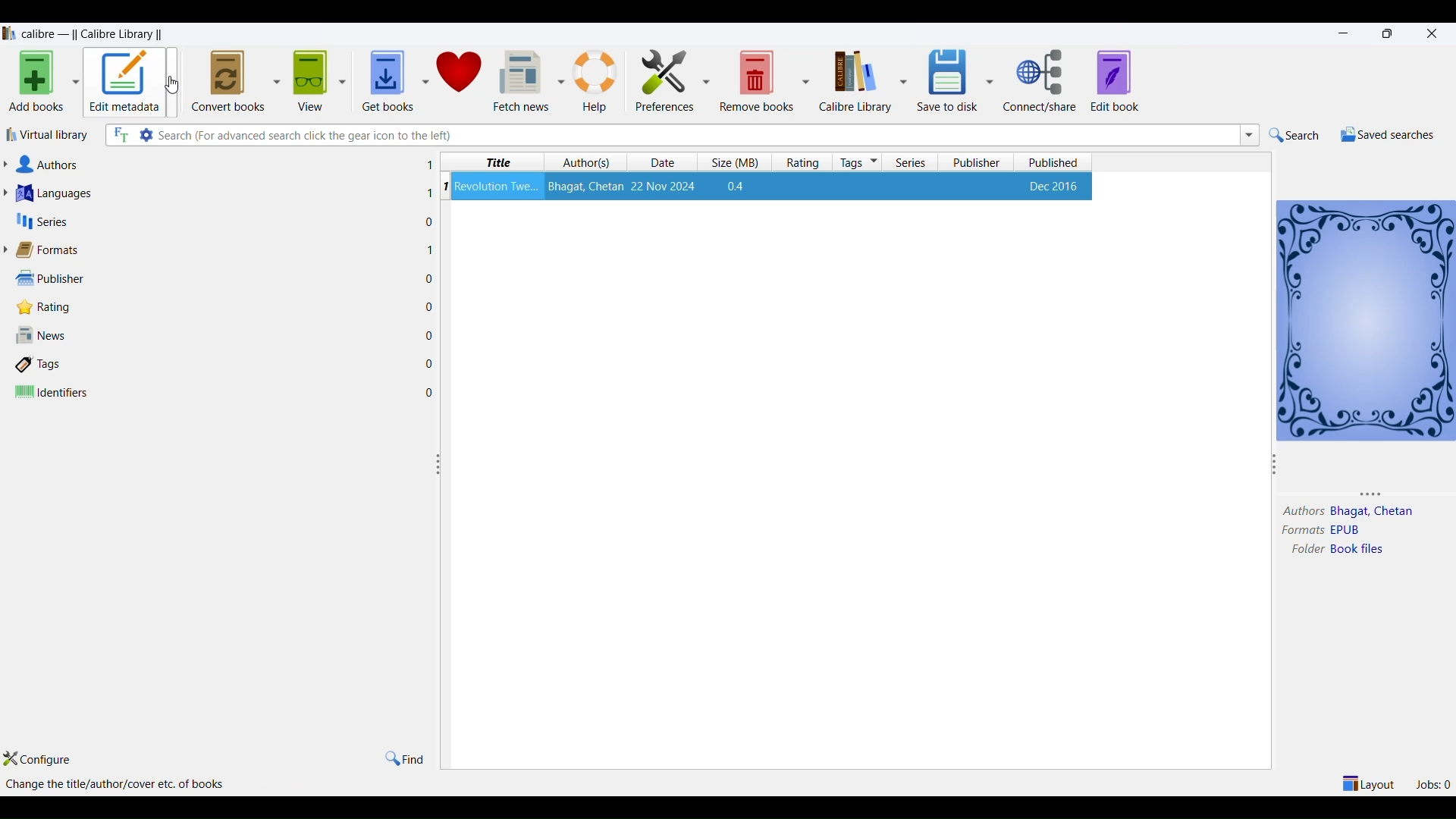 This screenshot has height=819, width=1456. I want to click on layout, so click(1367, 780).